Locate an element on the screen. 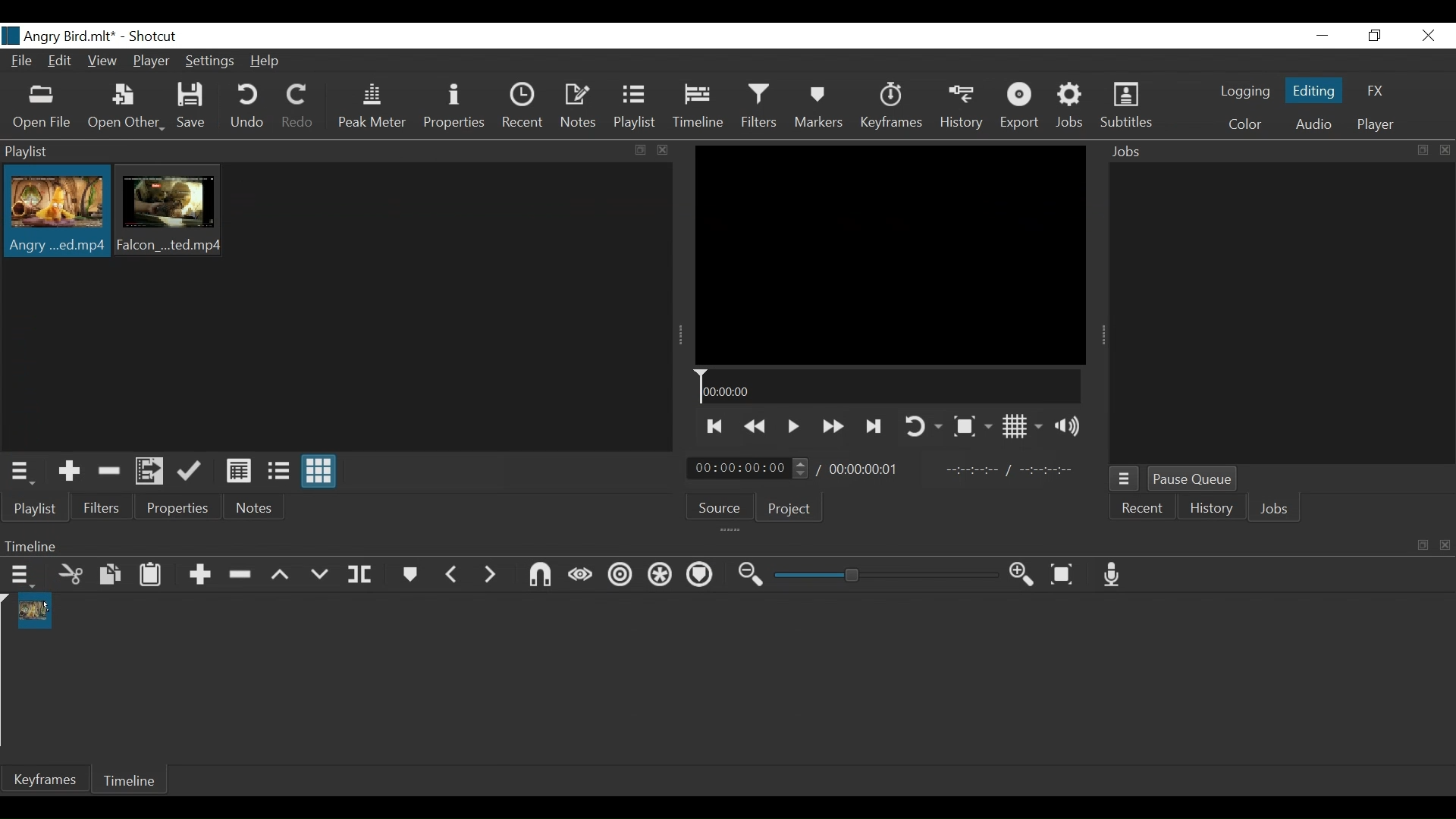  Toggle Zoom is located at coordinates (972, 427).